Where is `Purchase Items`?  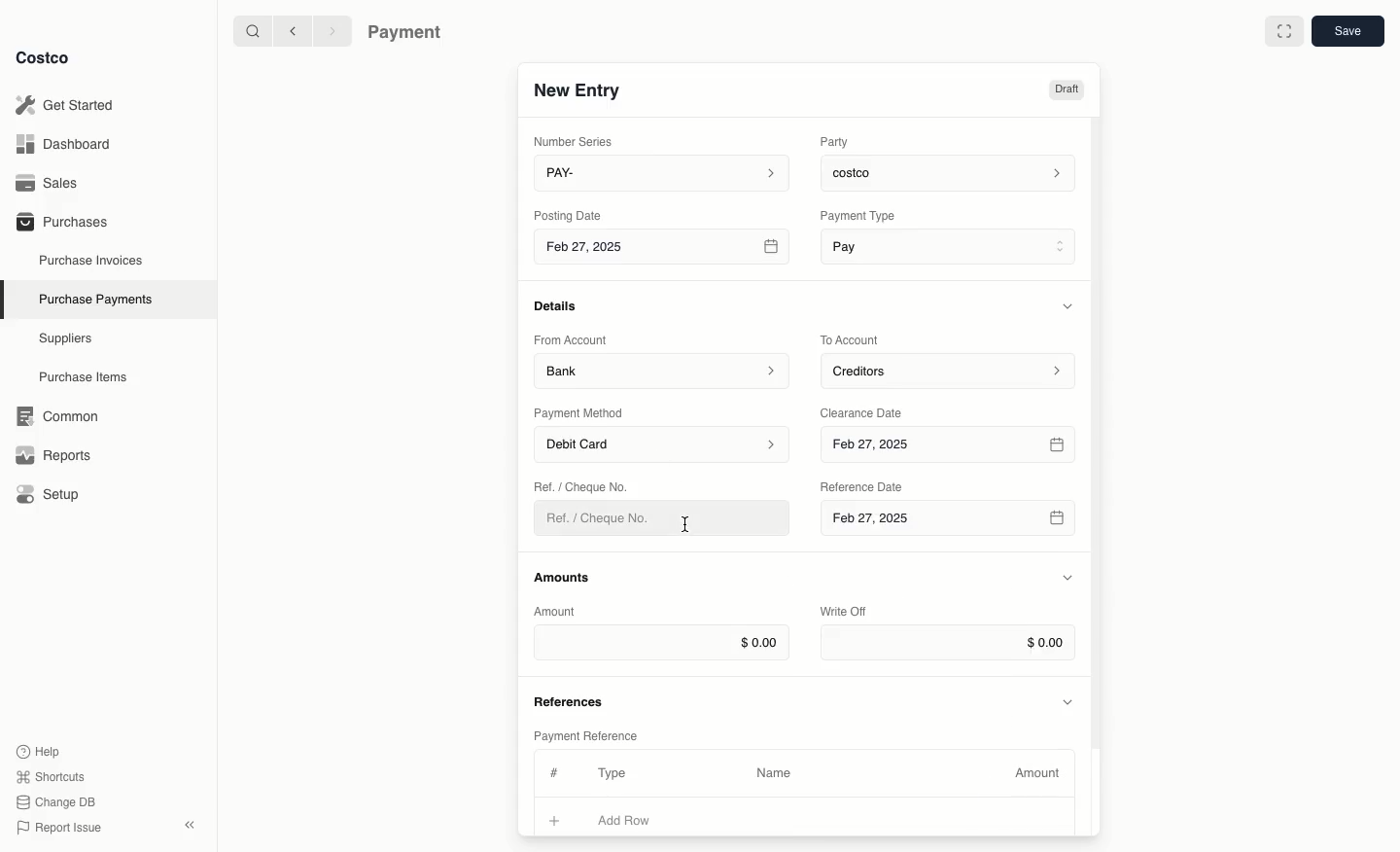
Purchase Items is located at coordinates (86, 377).